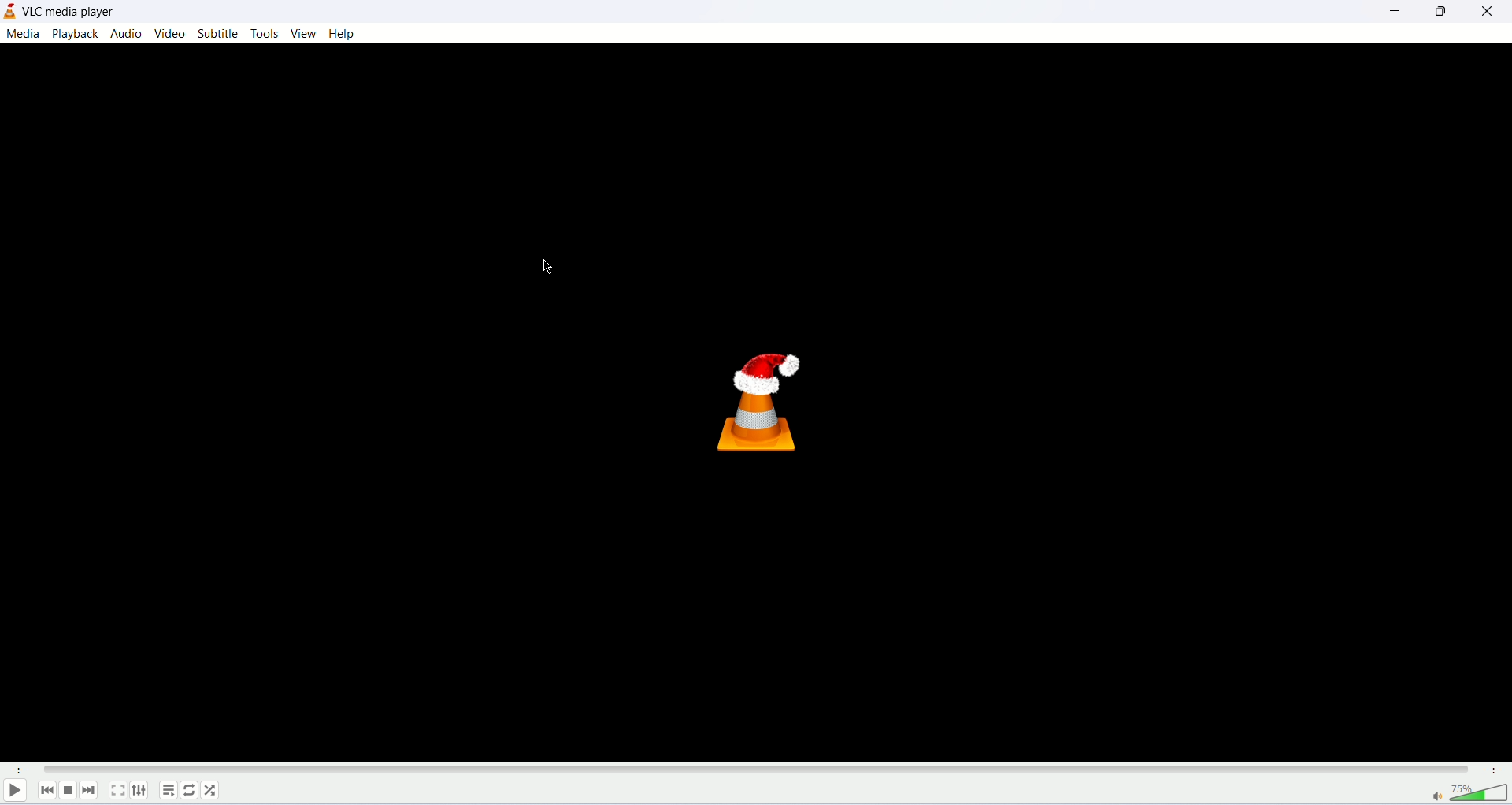 The image size is (1512, 805). I want to click on progress bar, so click(758, 771).